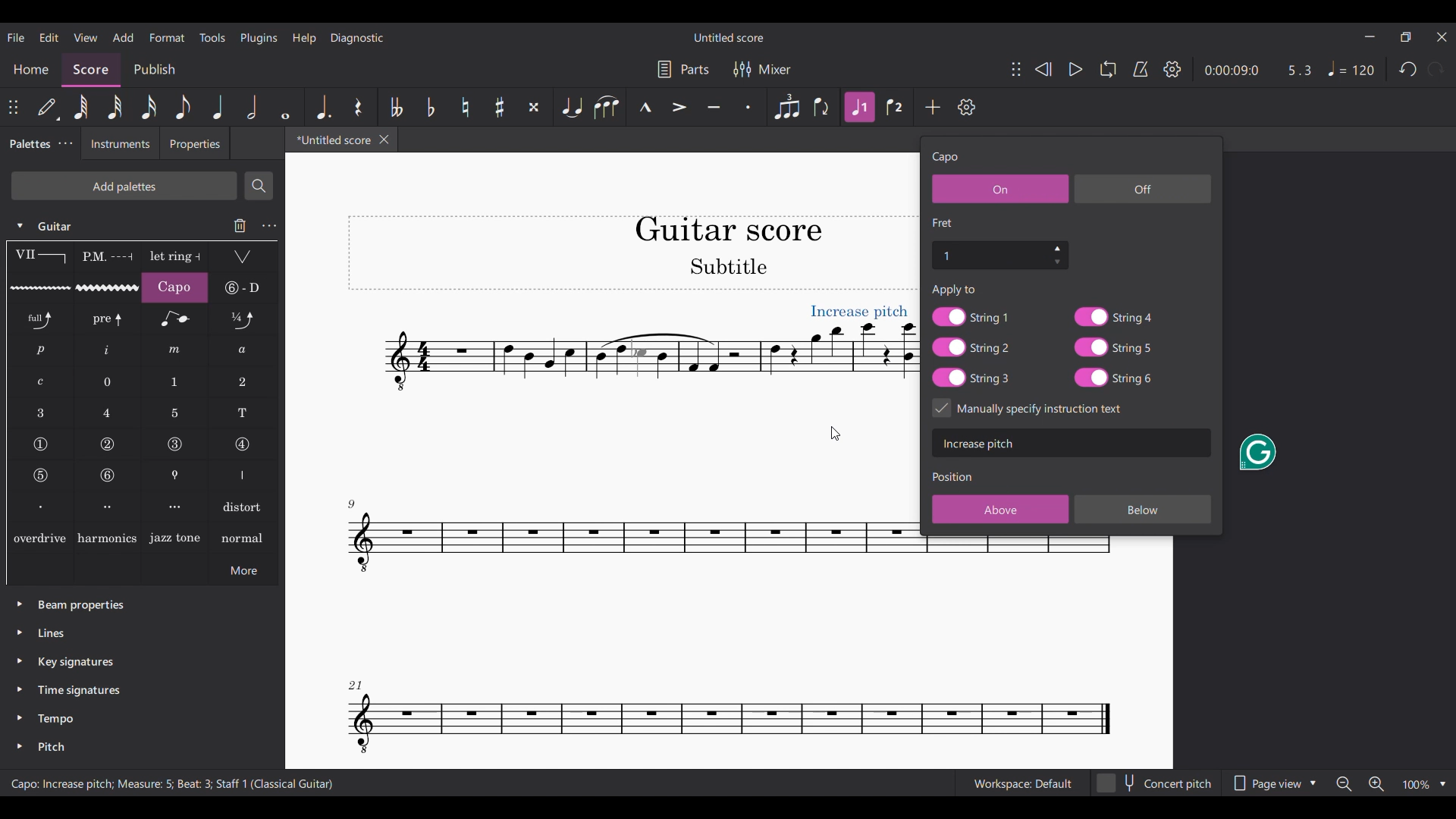 Image resolution: width=1456 pixels, height=819 pixels. I want to click on Tempo, so click(56, 719).